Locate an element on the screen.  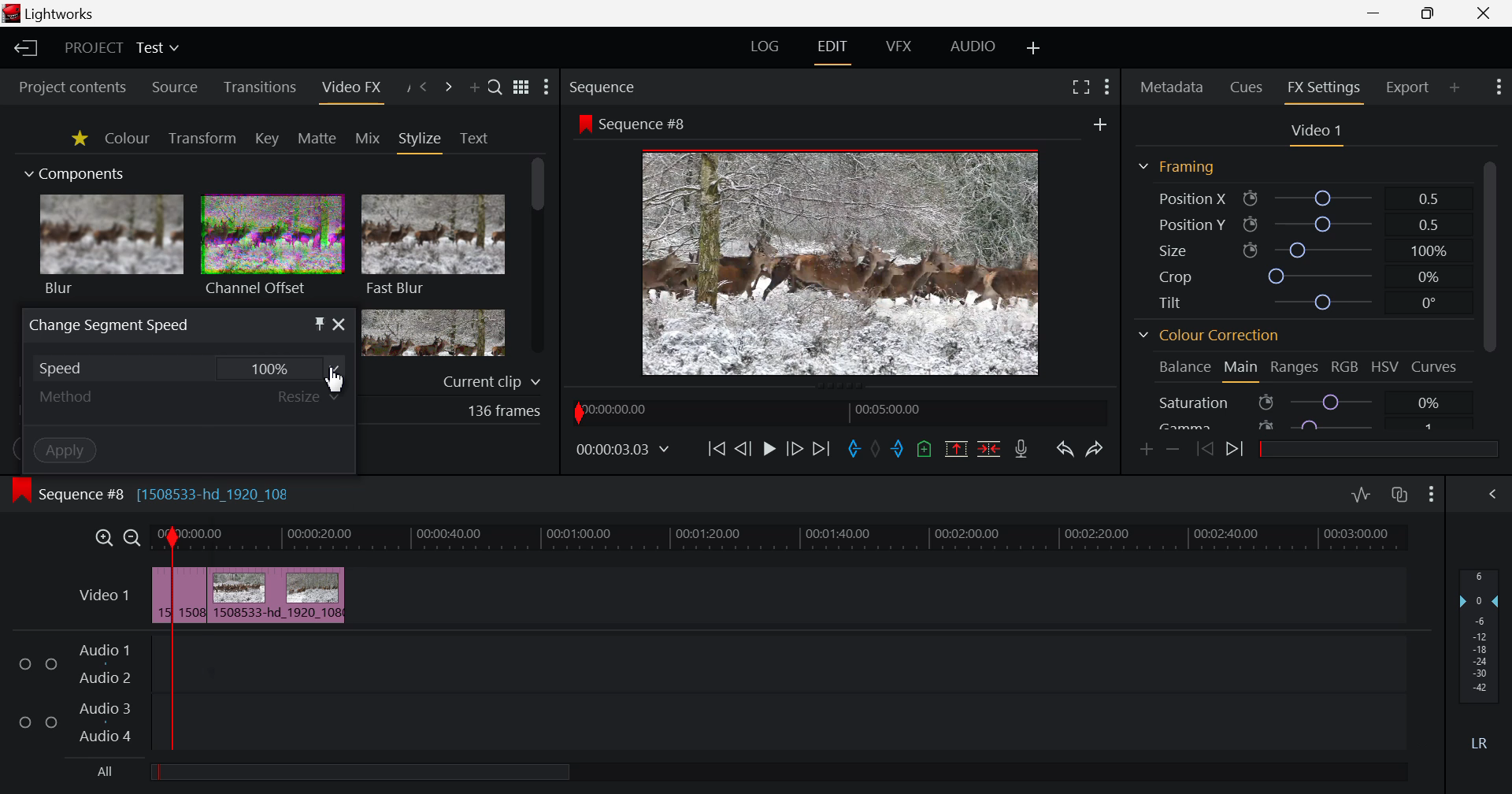
Crop is located at coordinates (1299, 275).